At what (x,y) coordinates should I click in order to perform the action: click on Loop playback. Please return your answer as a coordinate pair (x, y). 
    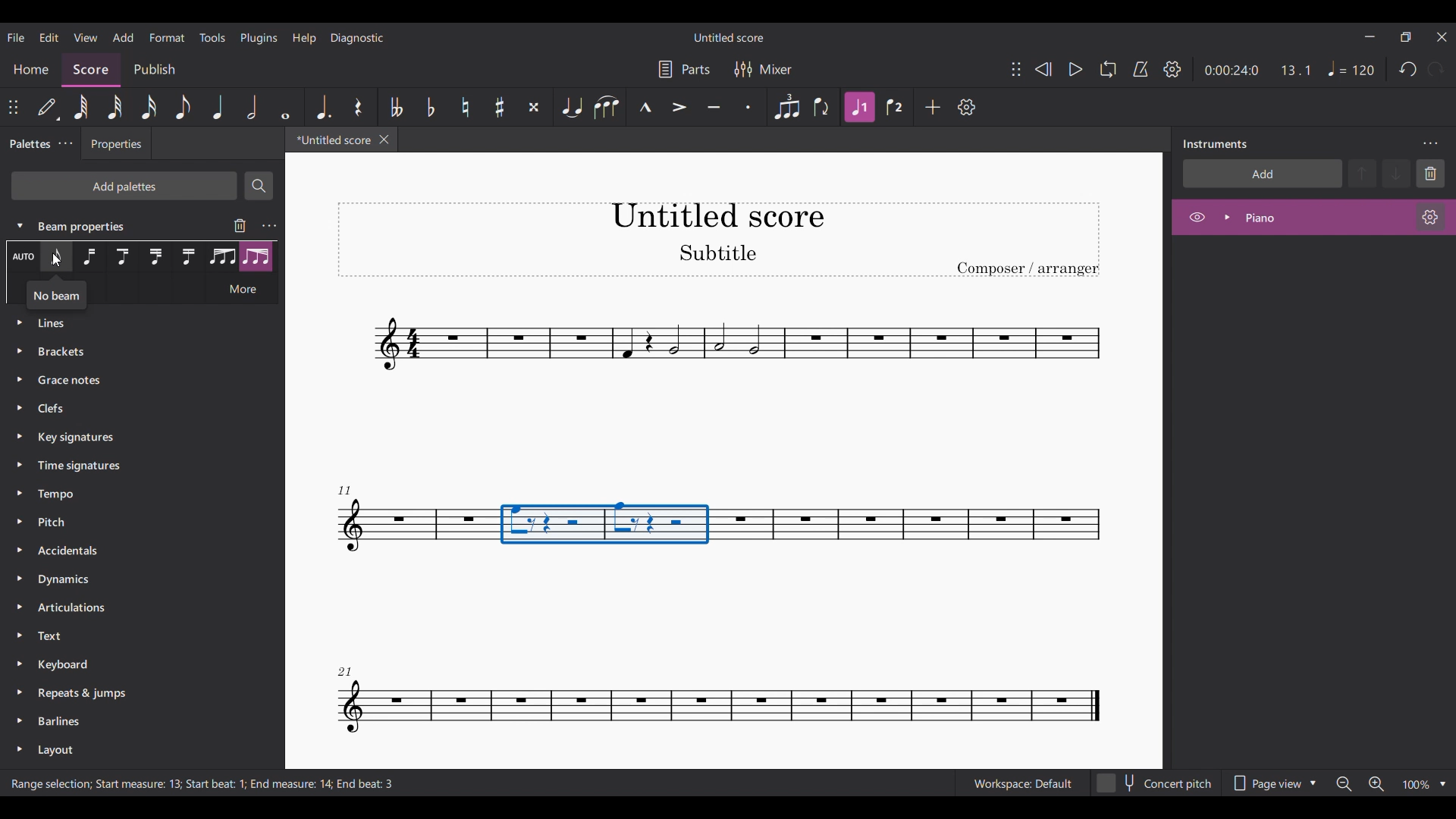
    Looking at the image, I should click on (1108, 69).